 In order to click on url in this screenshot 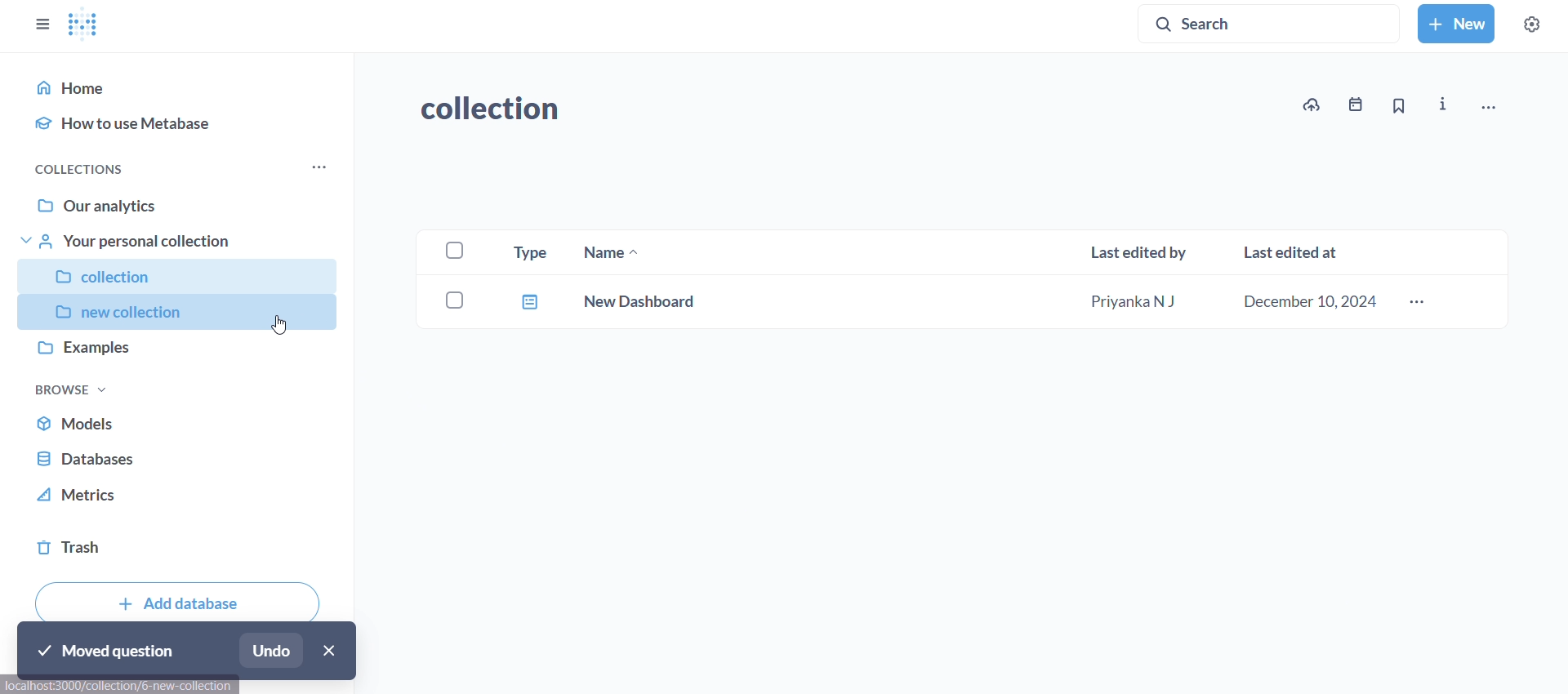, I will do `click(118, 687)`.